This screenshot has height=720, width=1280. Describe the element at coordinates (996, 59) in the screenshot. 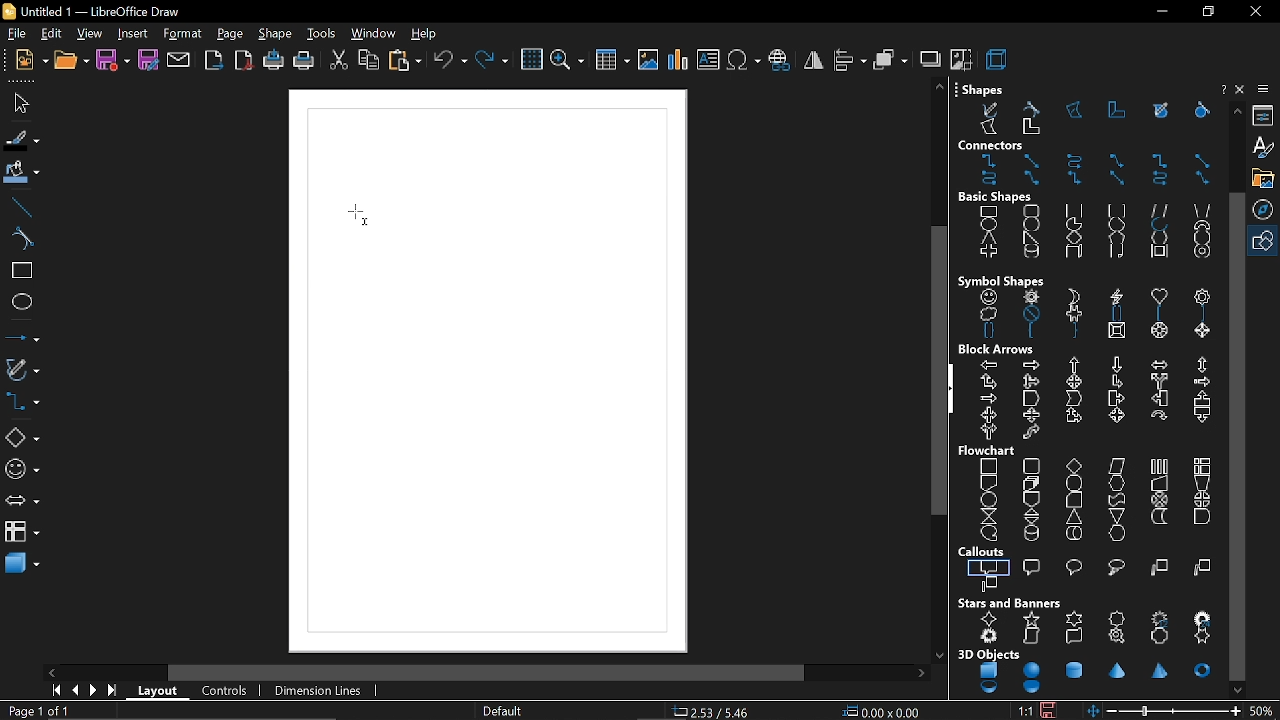

I see `3d effect` at that location.